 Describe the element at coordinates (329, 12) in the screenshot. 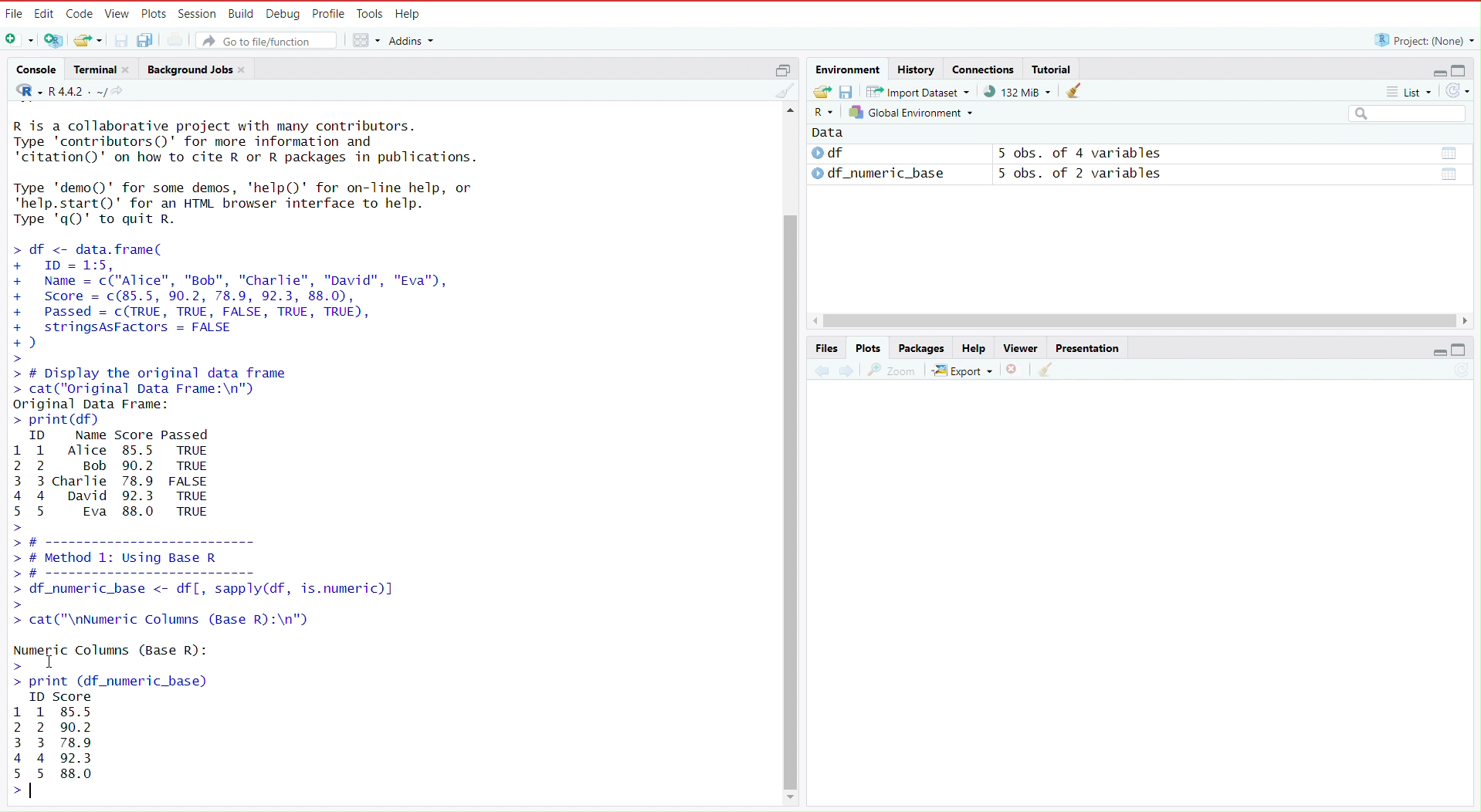

I see `Profile` at that location.